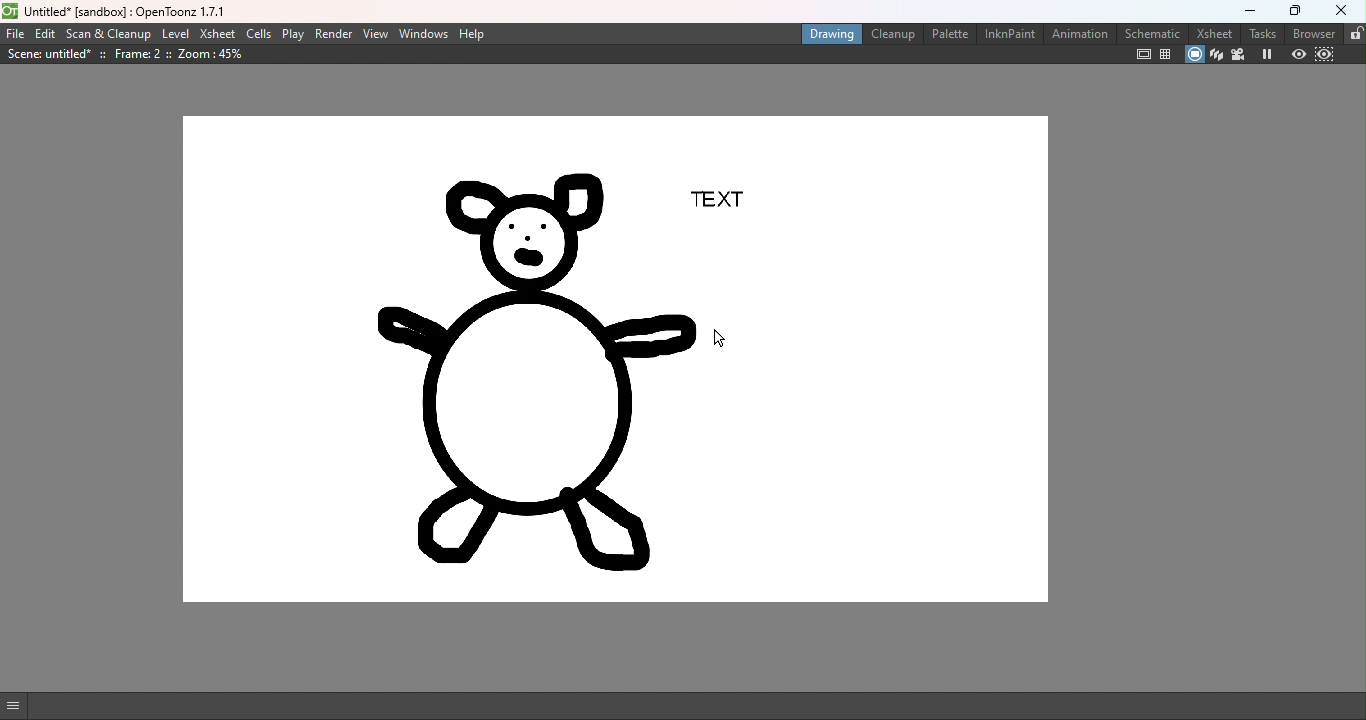 The image size is (1366, 720). Describe the element at coordinates (47, 32) in the screenshot. I see `Edit` at that location.